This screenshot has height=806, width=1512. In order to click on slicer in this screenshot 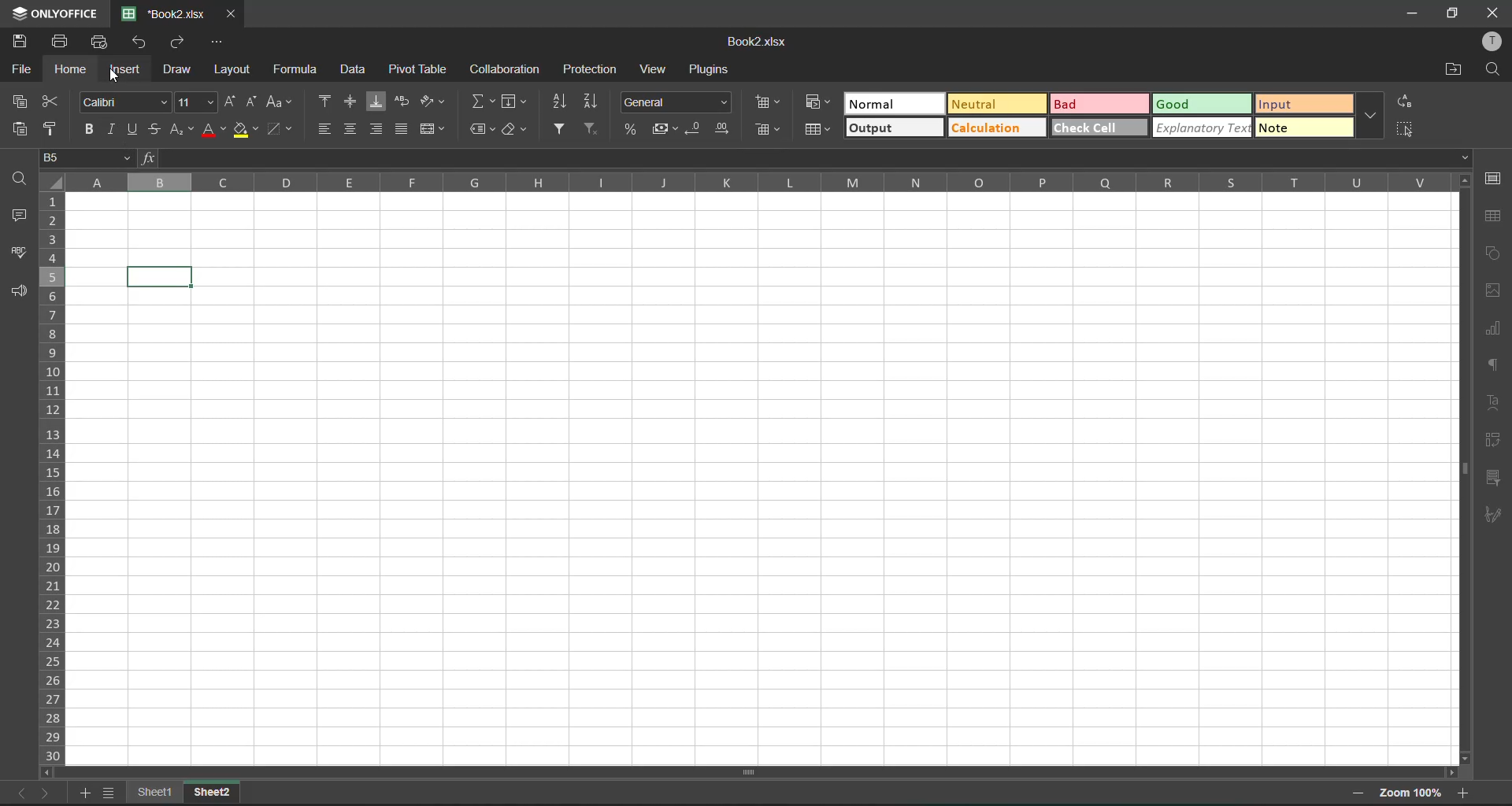, I will do `click(1494, 479)`.